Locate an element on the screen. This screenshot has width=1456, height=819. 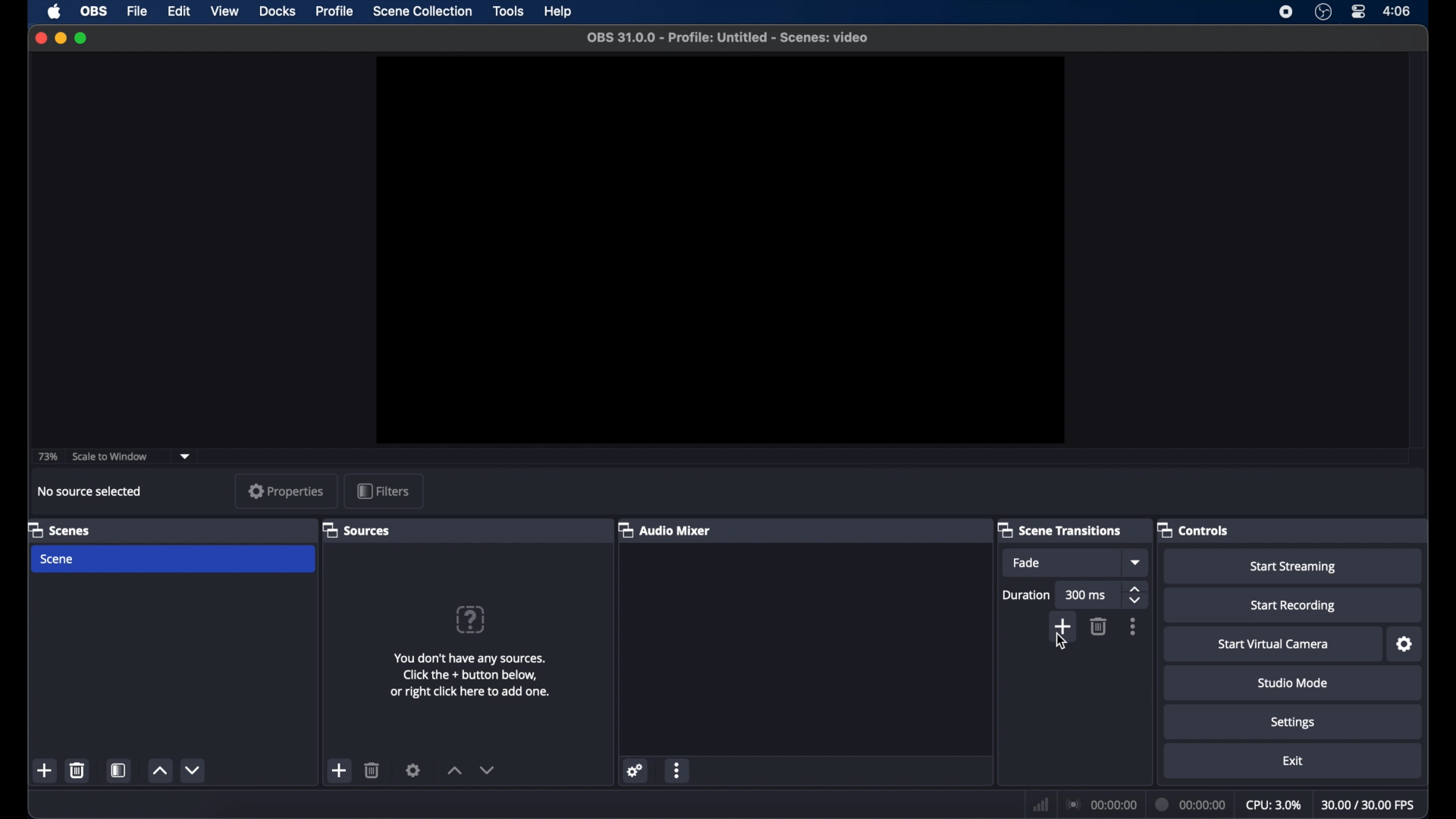
scene collection is located at coordinates (422, 11).